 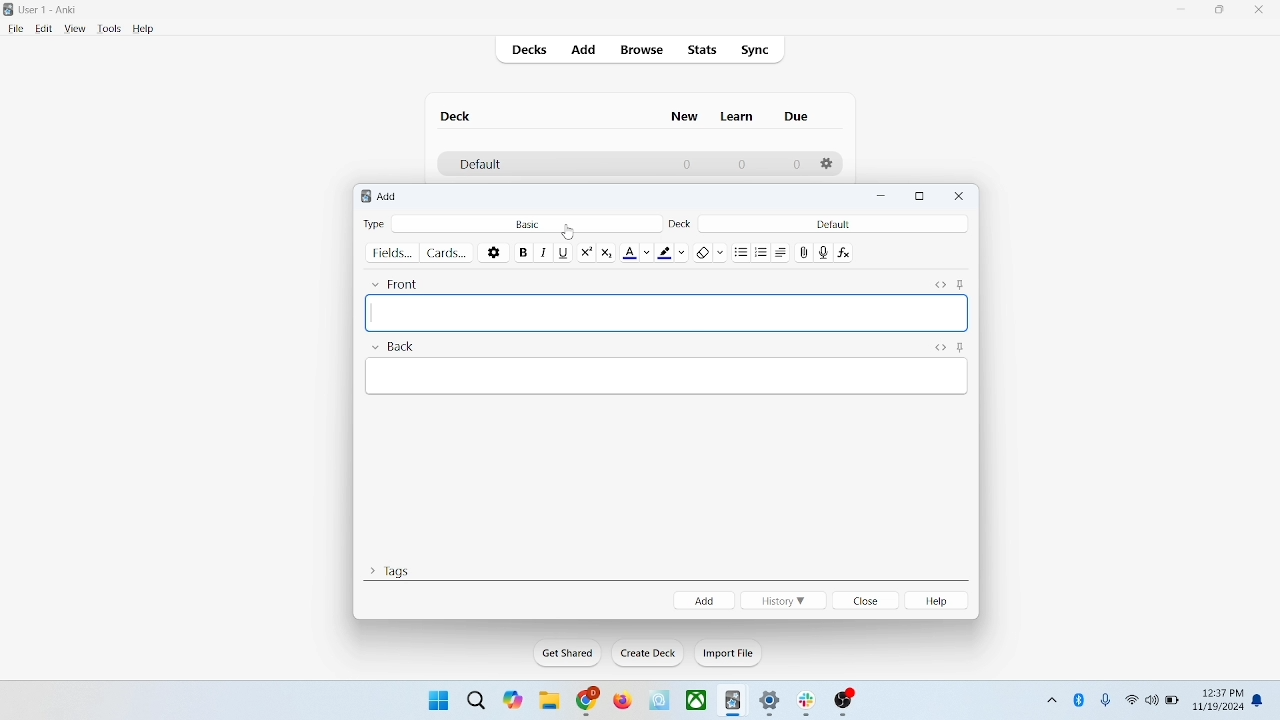 What do you see at coordinates (734, 702) in the screenshot?
I see `icon` at bounding box center [734, 702].